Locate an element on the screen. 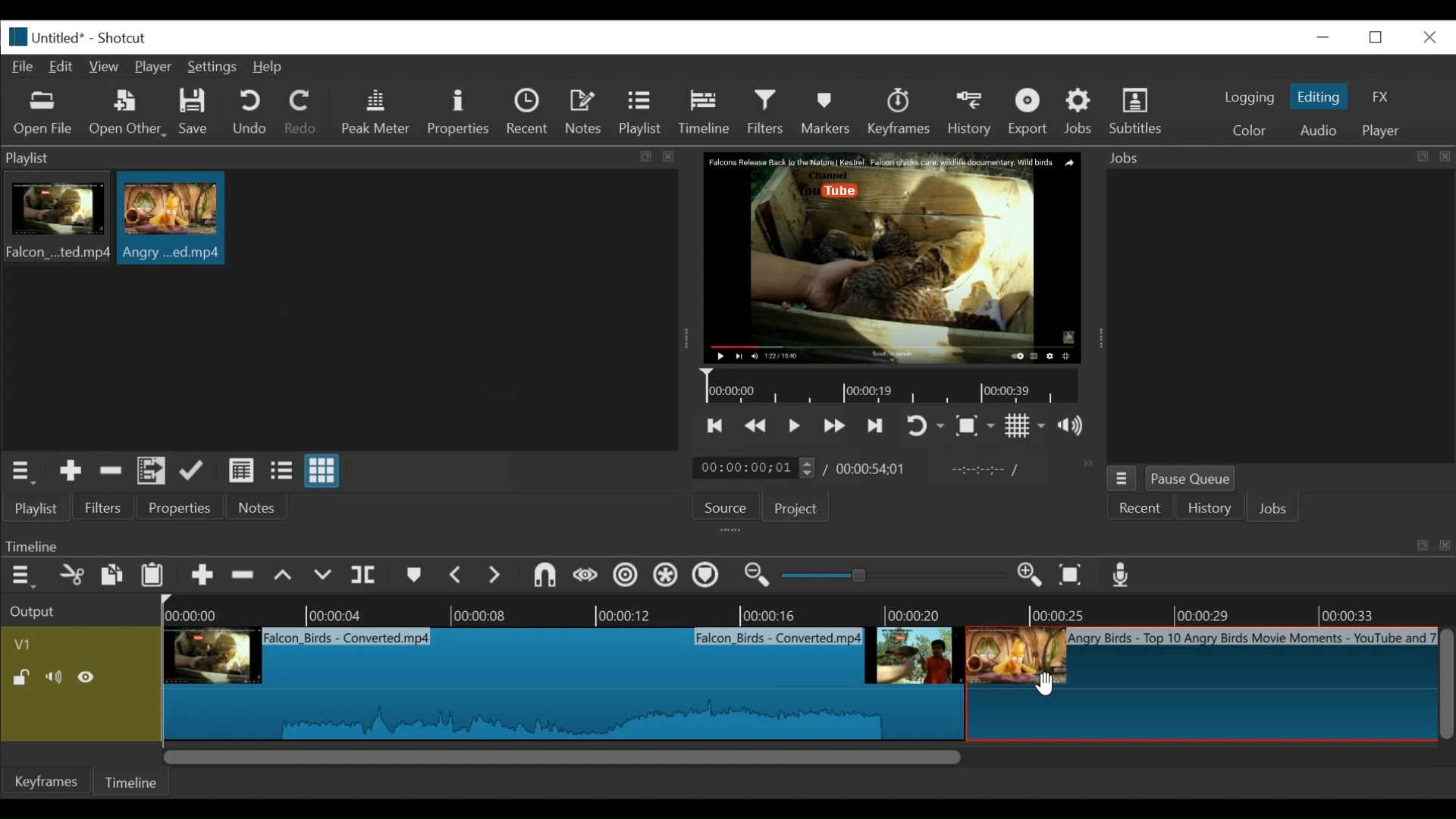 The width and height of the screenshot is (1456, 819). playlist is located at coordinates (35, 508).